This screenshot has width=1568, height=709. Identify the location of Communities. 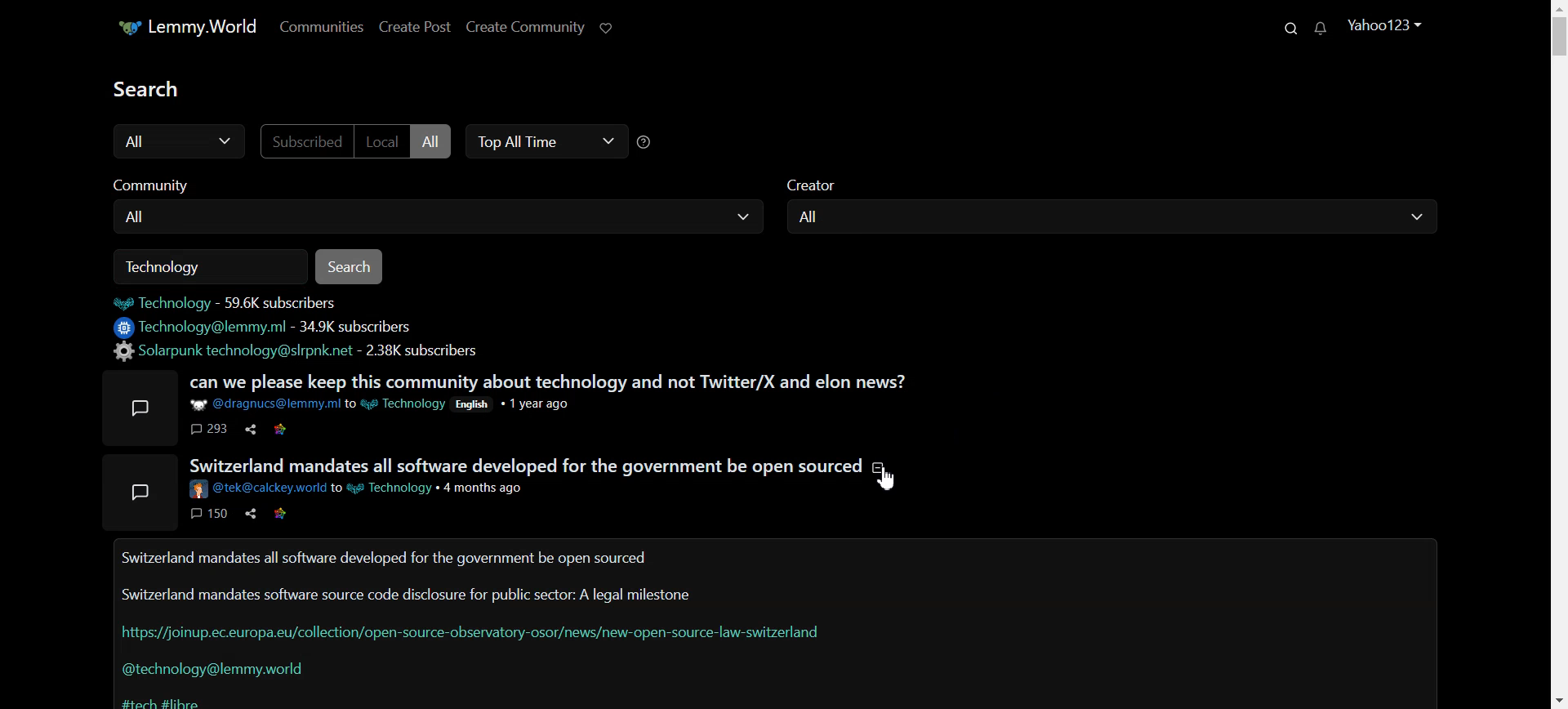
(325, 26).